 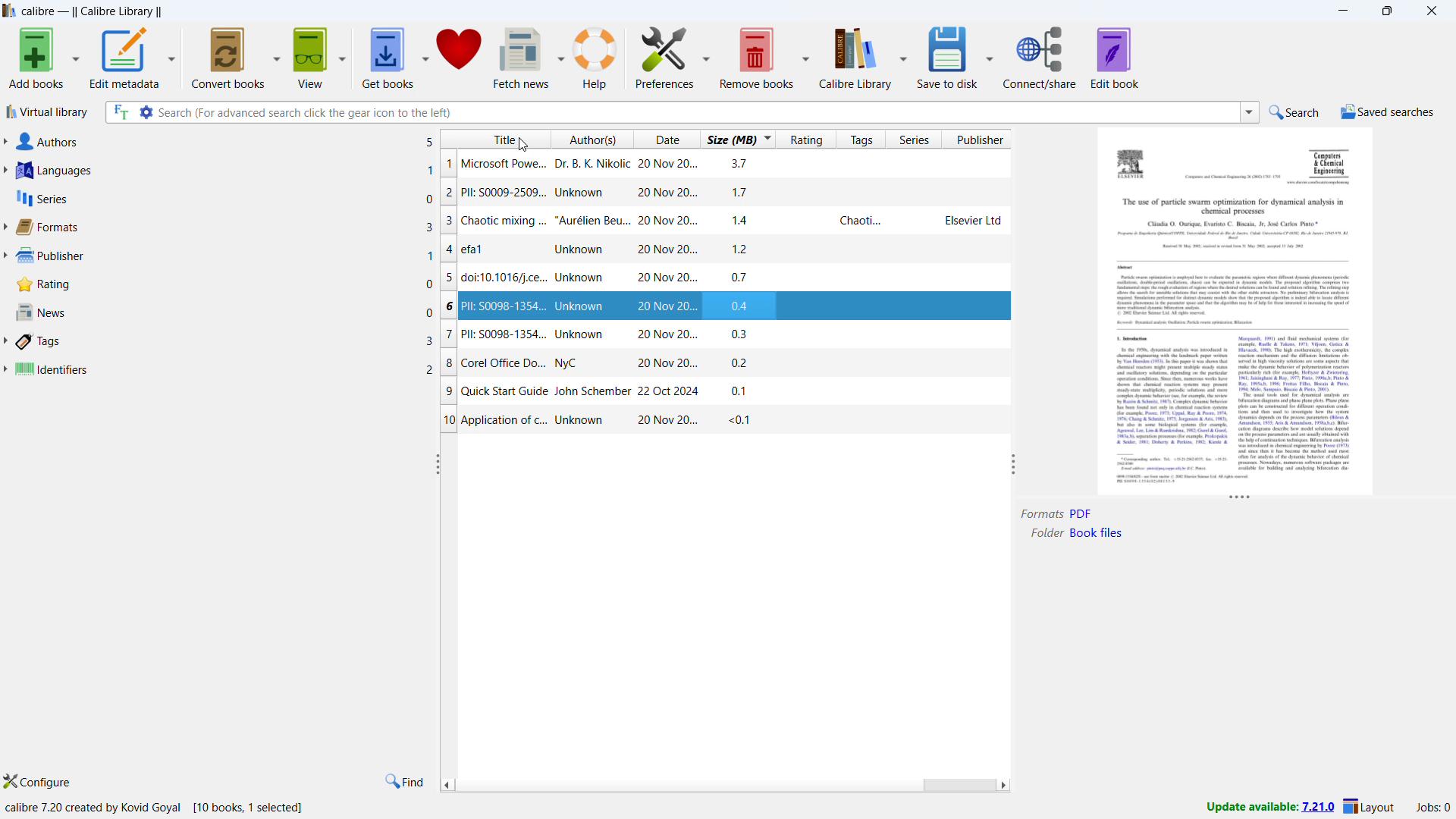 I want to click on Book Files, so click(x=1100, y=534).